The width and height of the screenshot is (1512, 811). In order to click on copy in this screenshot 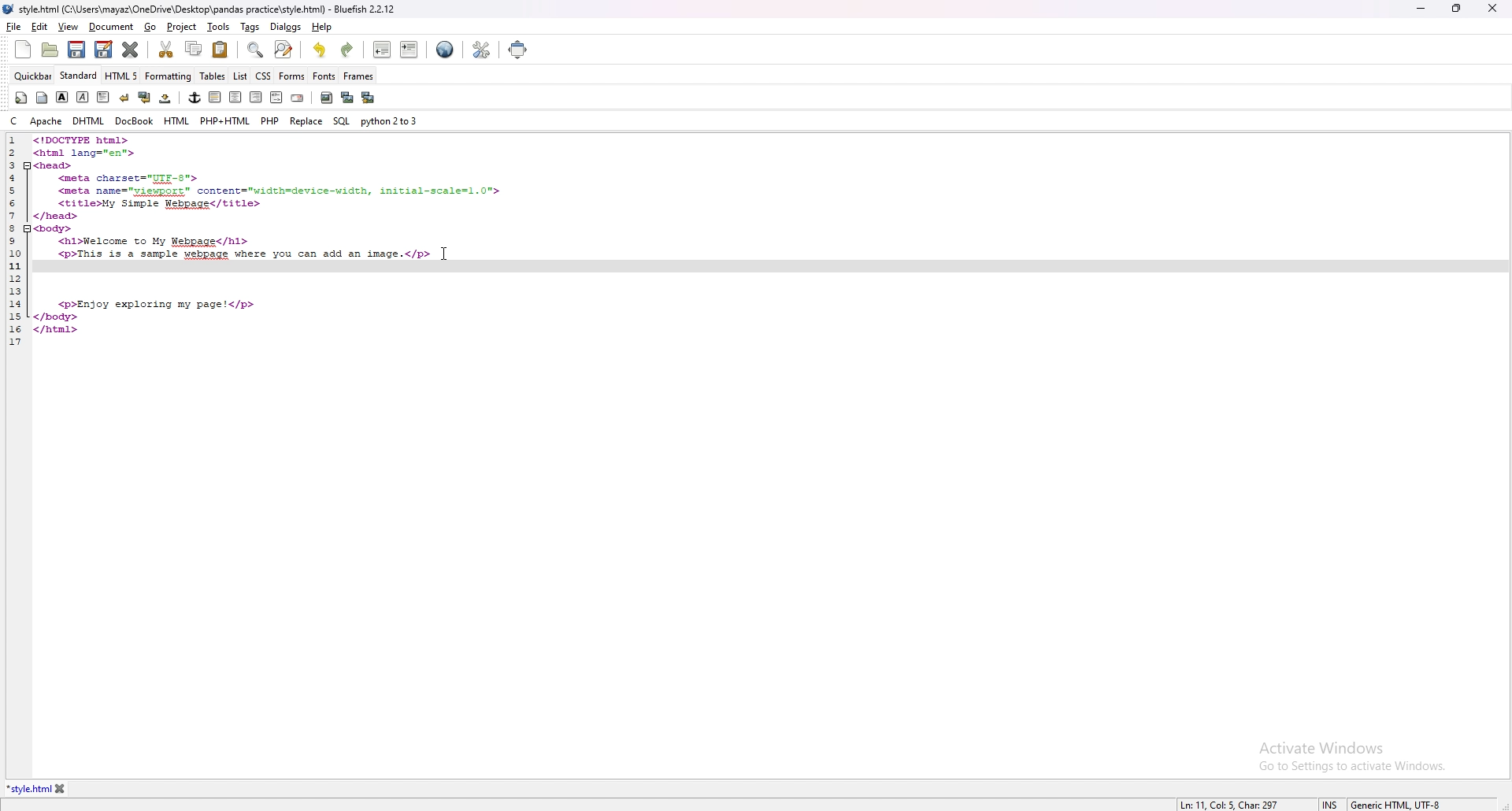, I will do `click(193, 49)`.